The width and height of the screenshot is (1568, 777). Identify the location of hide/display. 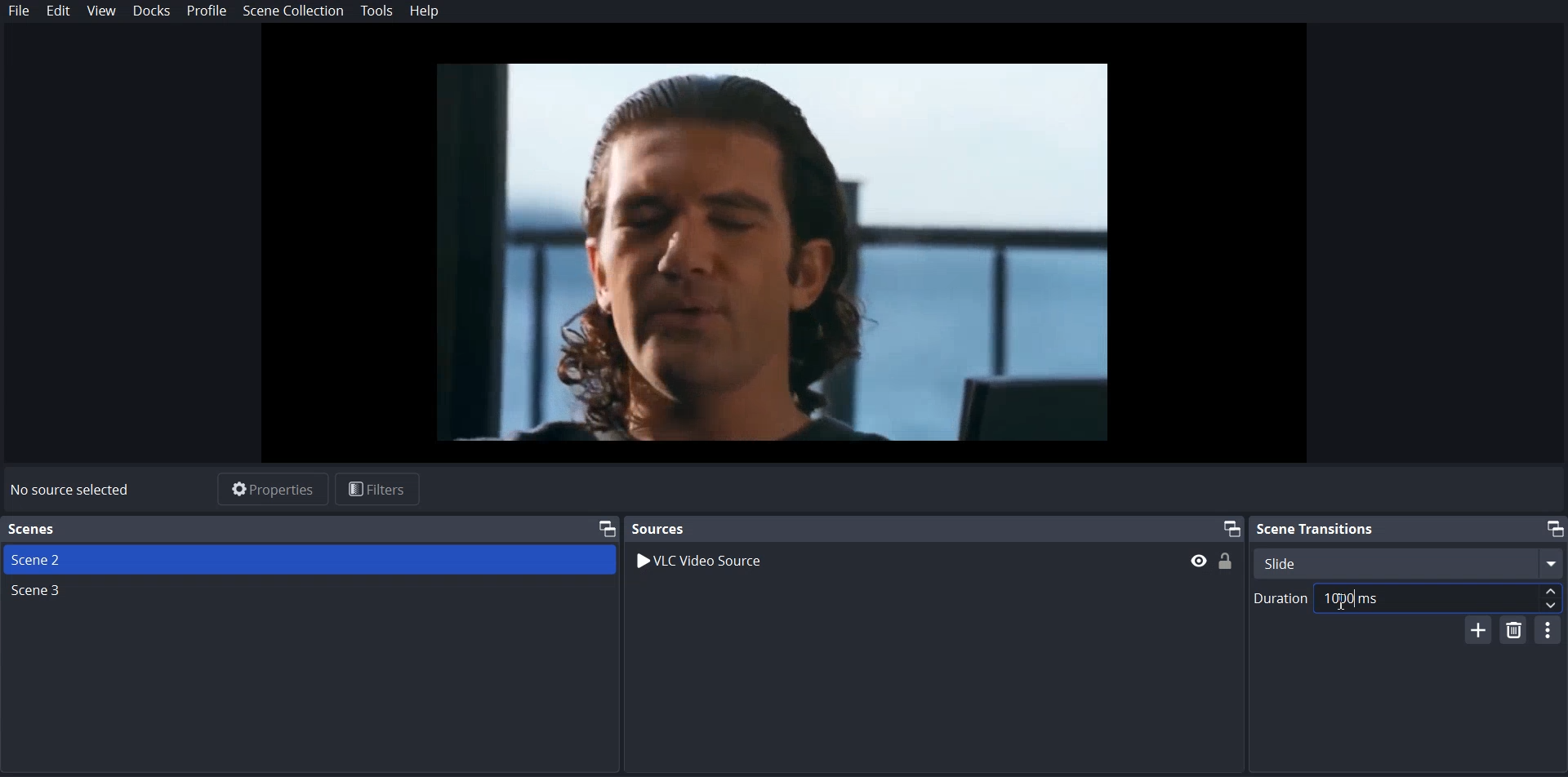
(1199, 561).